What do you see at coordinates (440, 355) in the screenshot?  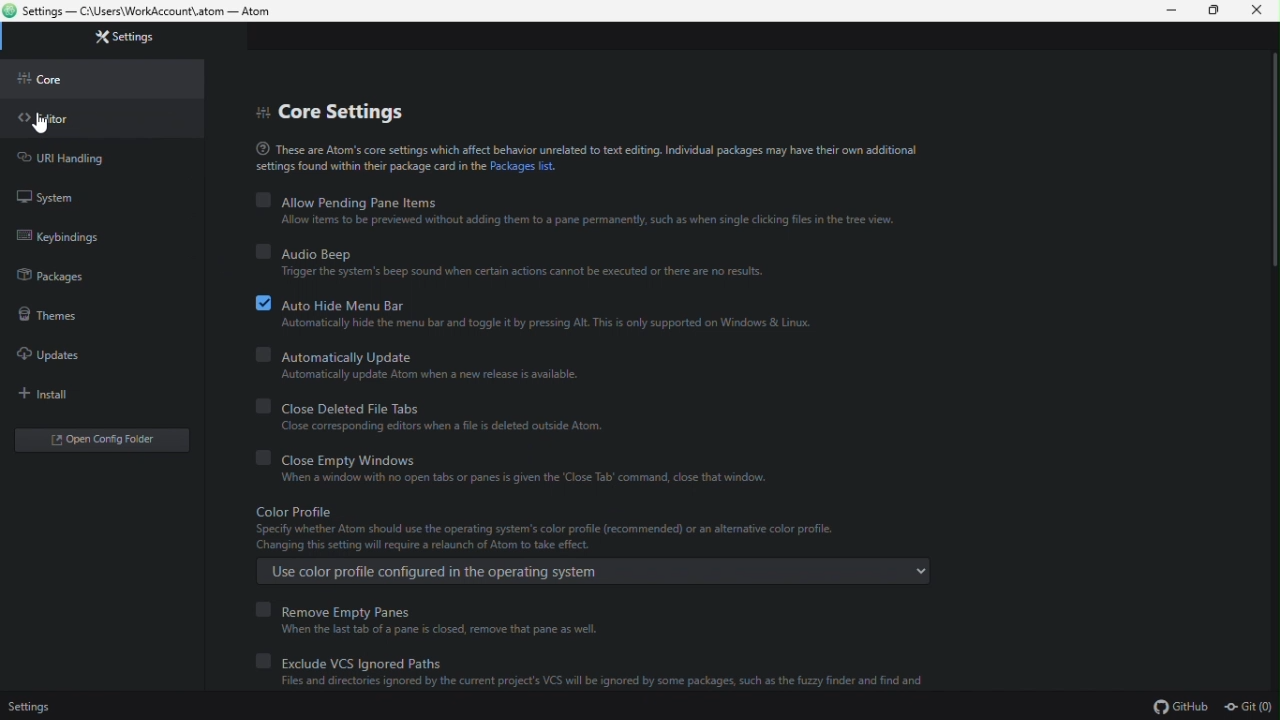 I see `automatically update` at bounding box center [440, 355].